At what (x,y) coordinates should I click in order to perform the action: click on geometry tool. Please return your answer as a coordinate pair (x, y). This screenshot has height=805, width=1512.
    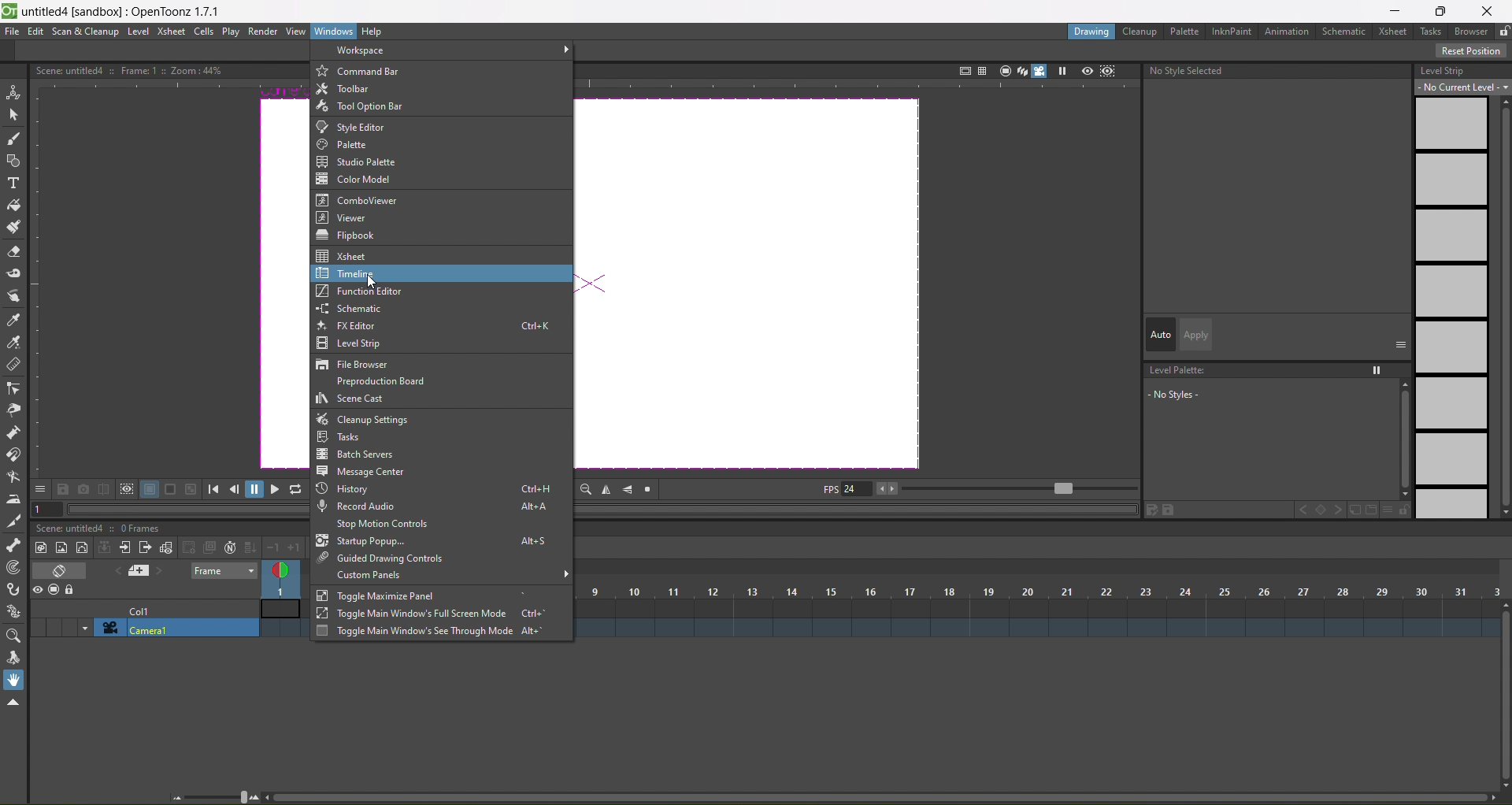
    Looking at the image, I should click on (14, 162).